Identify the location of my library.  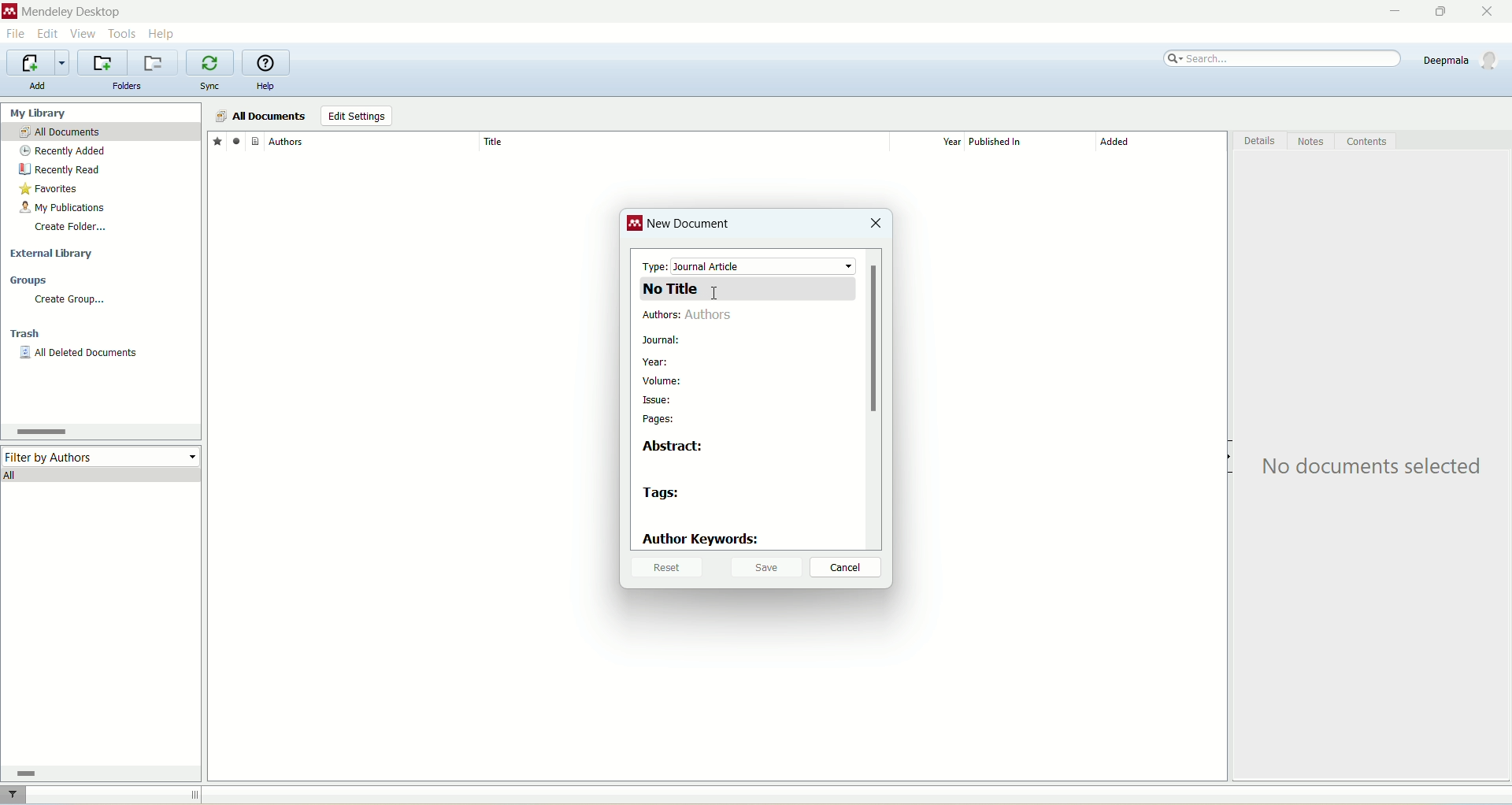
(40, 113).